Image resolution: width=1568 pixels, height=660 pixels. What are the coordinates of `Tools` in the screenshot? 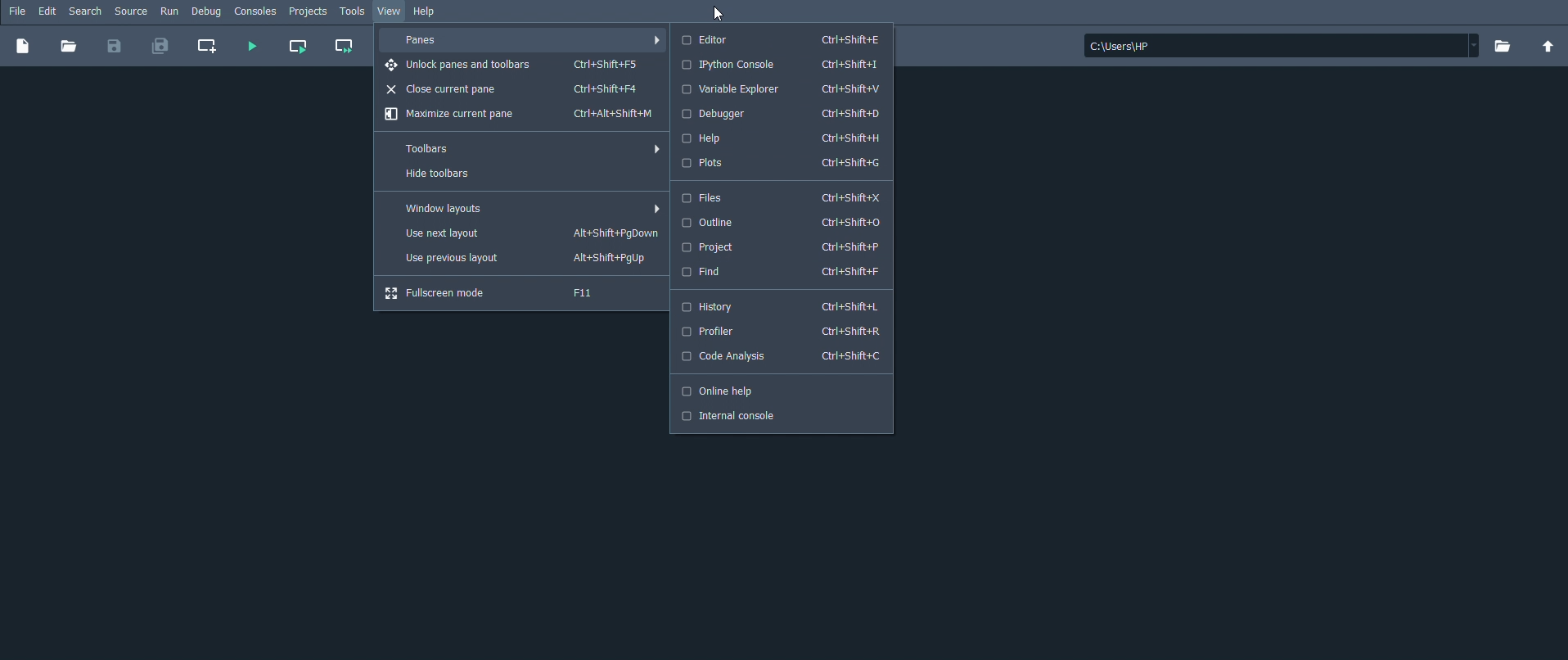 It's located at (354, 12).